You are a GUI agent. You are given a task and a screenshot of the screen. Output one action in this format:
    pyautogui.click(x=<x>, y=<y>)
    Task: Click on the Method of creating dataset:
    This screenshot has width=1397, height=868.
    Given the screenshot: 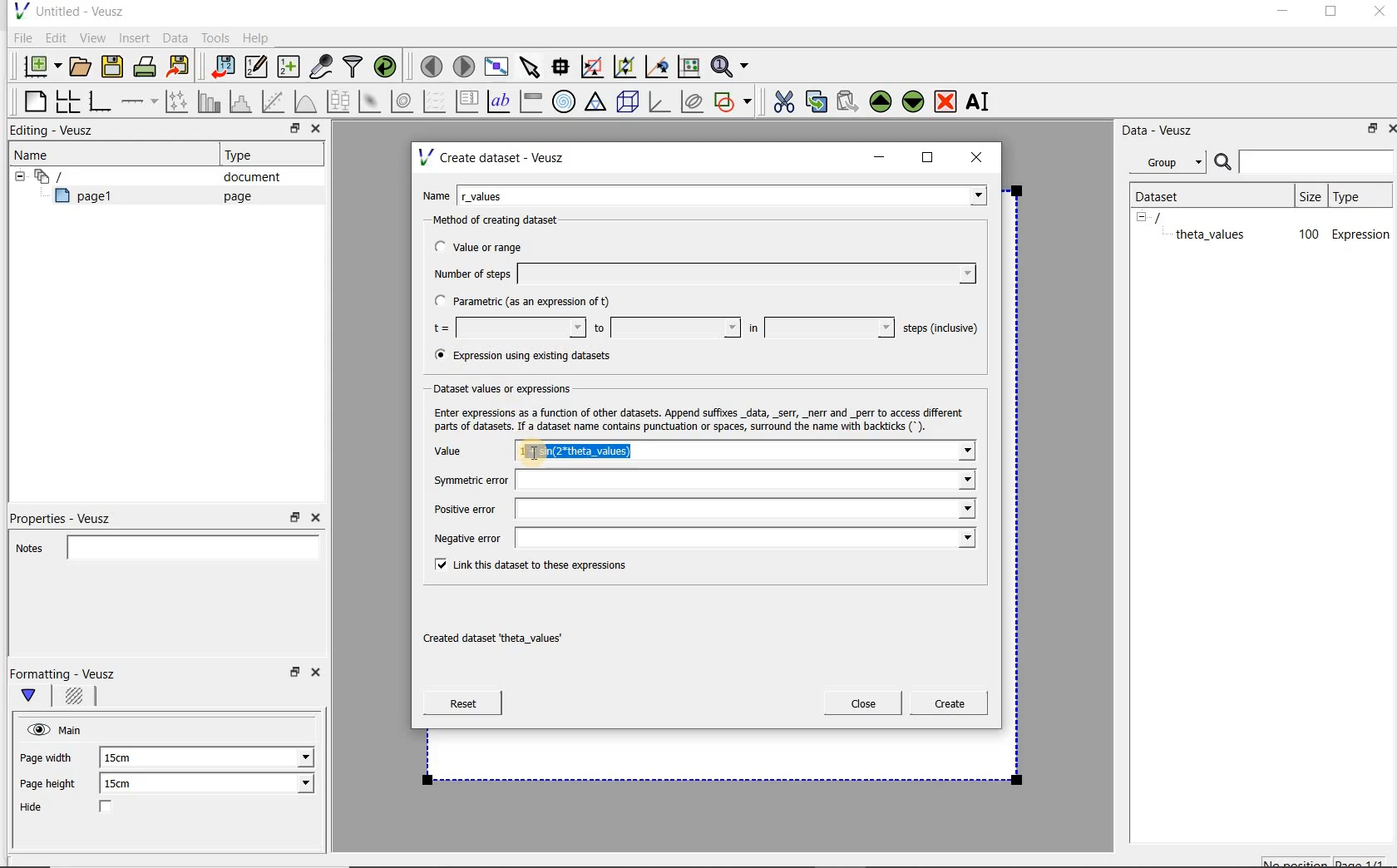 What is the action you would take?
    pyautogui.click(x=508, y=220)
    